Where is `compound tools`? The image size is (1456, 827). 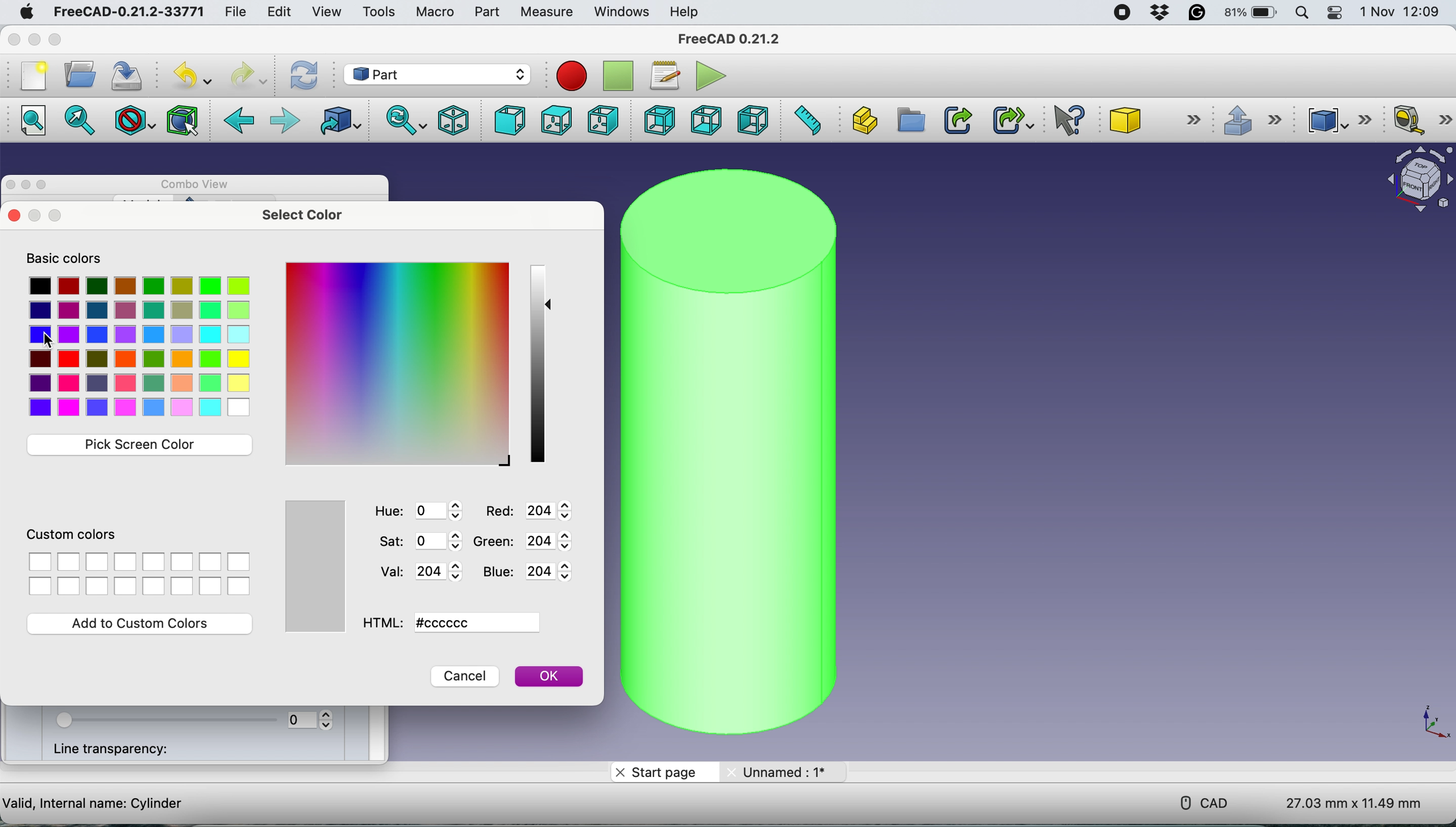 compound tools is located at coordinates (1338, 119).